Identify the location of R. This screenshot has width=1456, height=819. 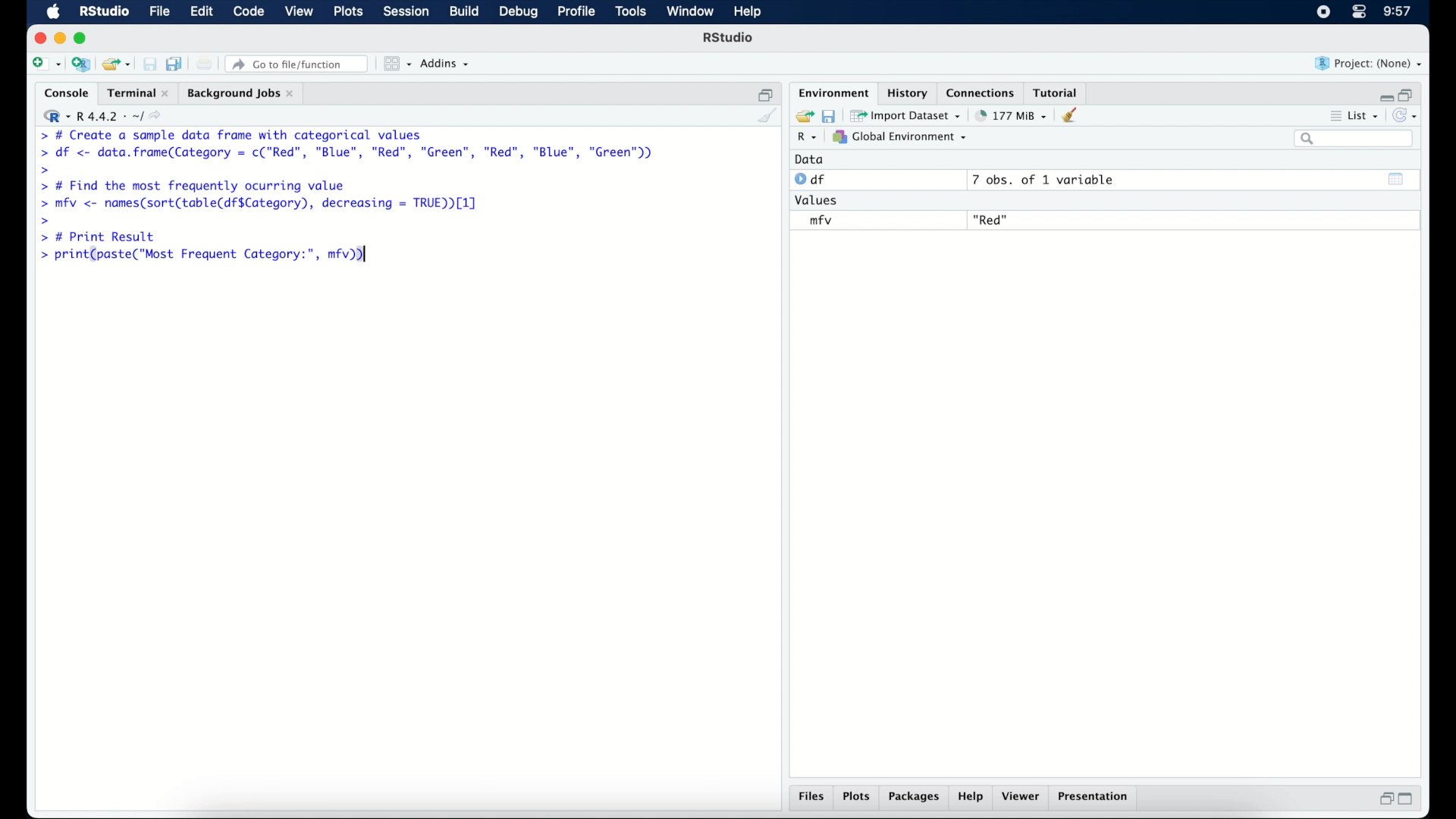
(810, 138).